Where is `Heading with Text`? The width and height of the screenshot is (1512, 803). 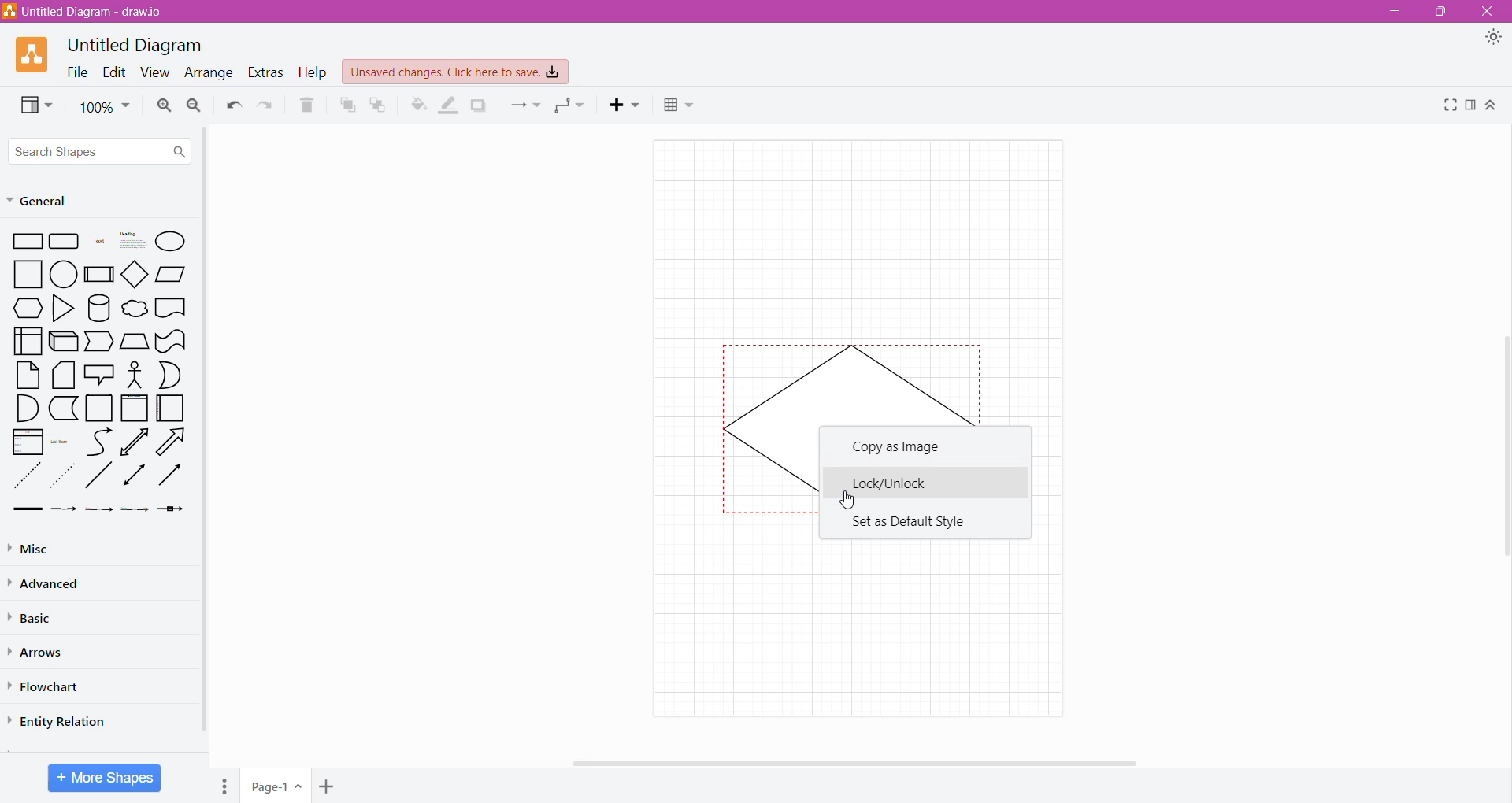 Heading with Text is located at coordinates (134, 242).